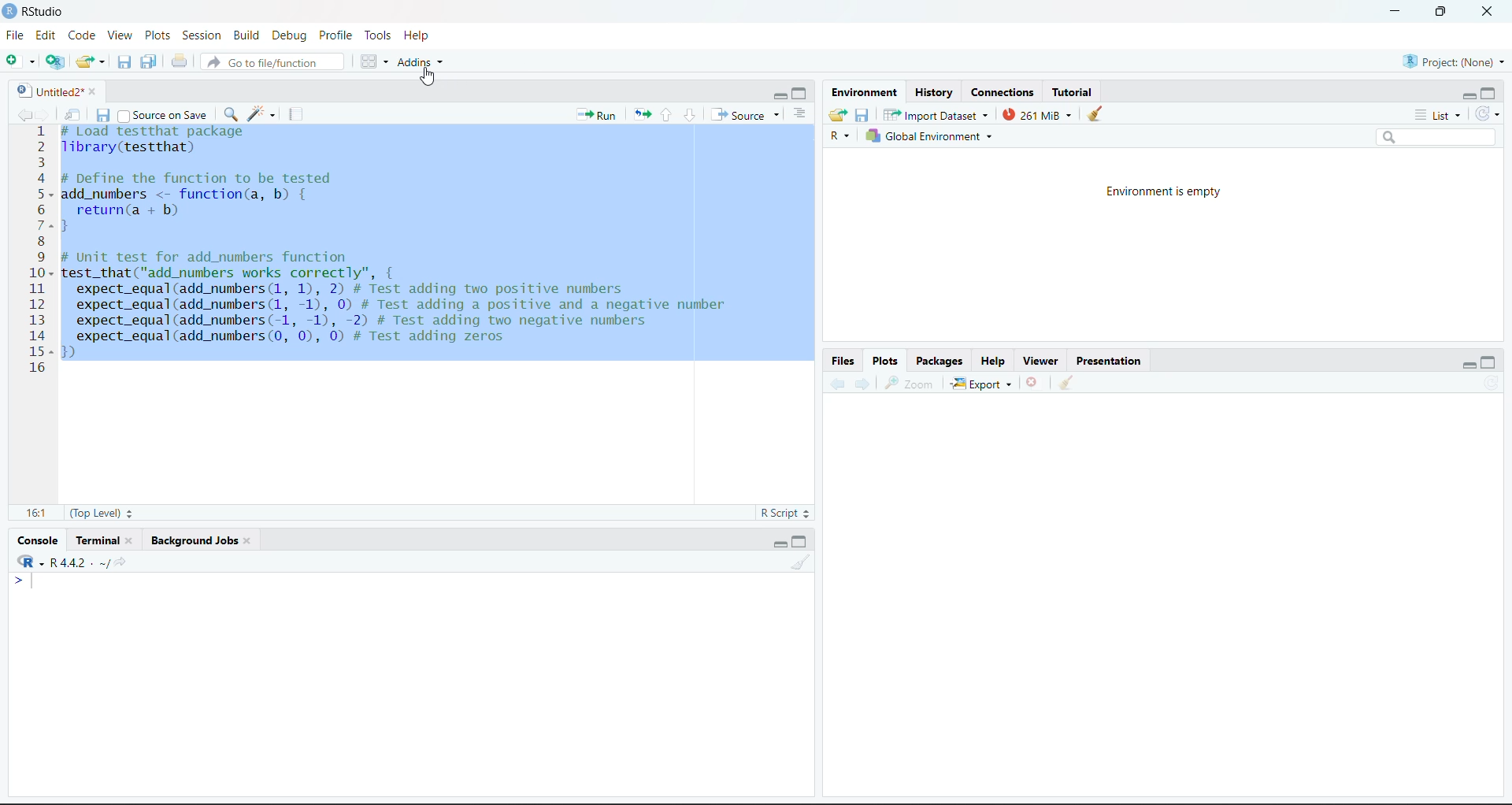 The image size is (1512, 805). Describe the element at coordinates (153, 131) in the screenshot. I see `# Load test that package` at that location.